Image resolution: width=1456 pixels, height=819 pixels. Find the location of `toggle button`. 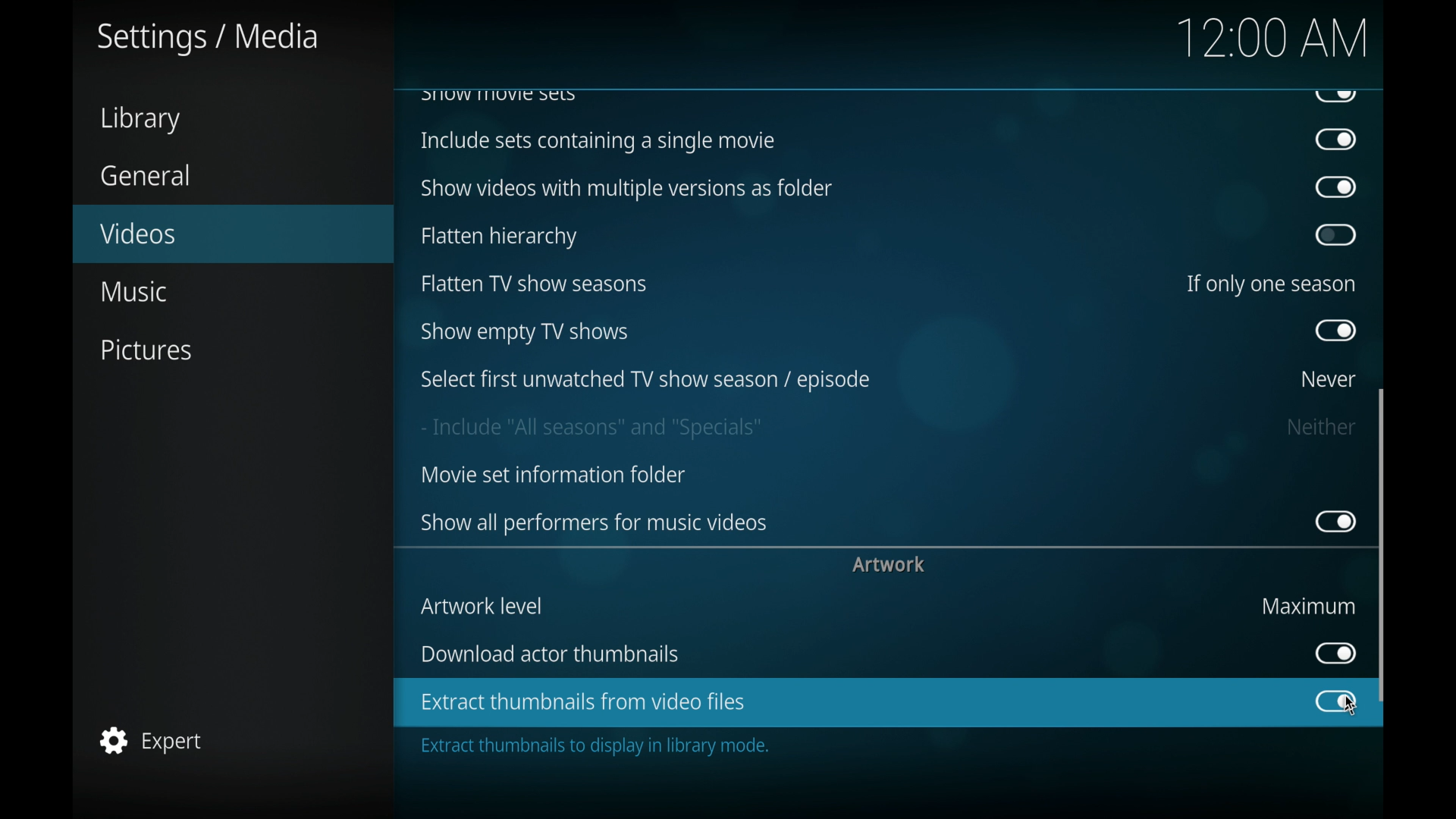

toggle button is located at coordinates (1336, 331).